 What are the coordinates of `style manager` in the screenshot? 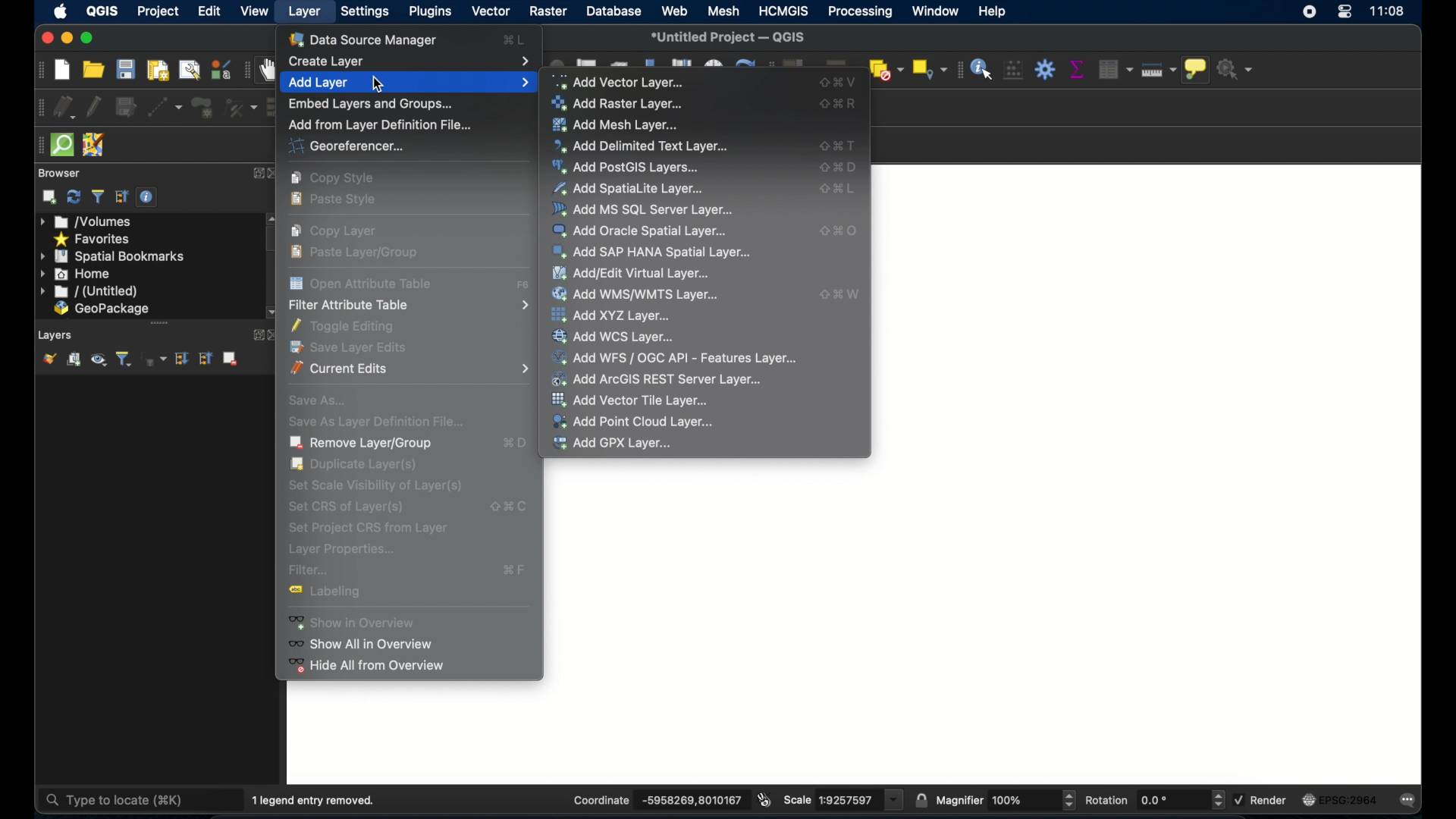 It's located at (220, 69).